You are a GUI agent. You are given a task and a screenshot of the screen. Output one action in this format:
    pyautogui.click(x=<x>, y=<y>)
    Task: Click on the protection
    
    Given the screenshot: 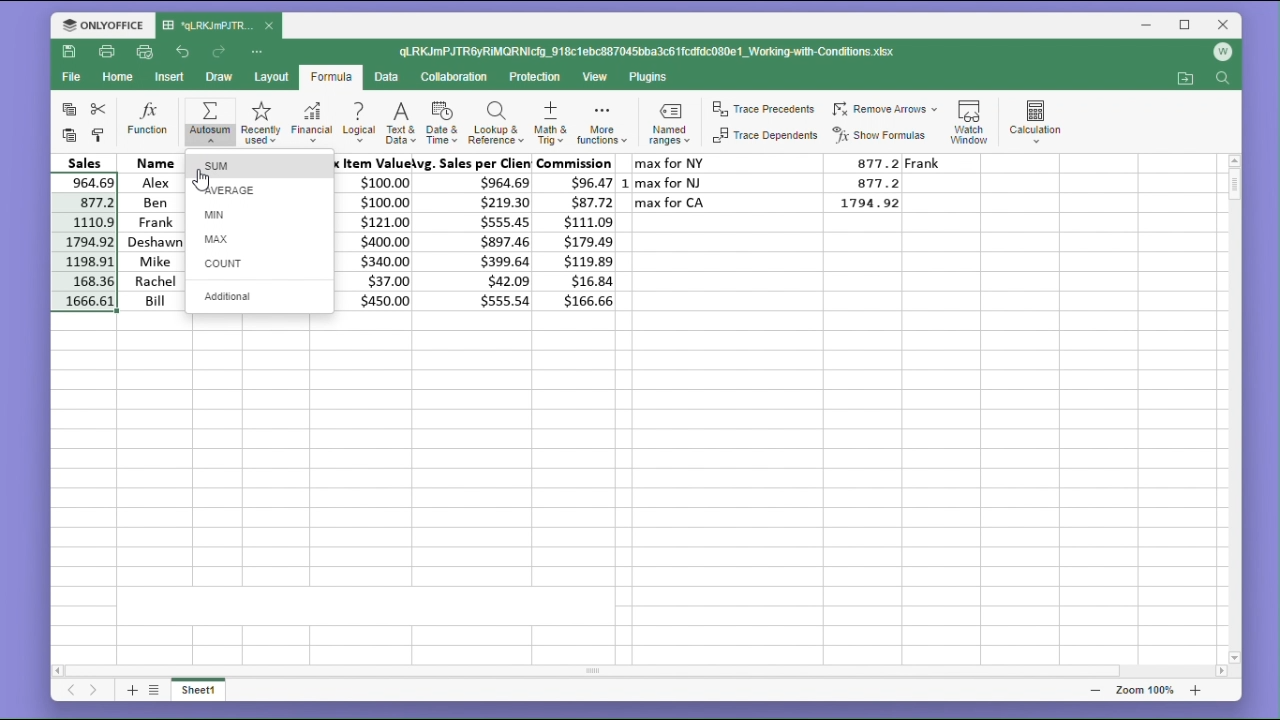 What is the action you would take?
    pyautogui.click(x=537, y=77)
    